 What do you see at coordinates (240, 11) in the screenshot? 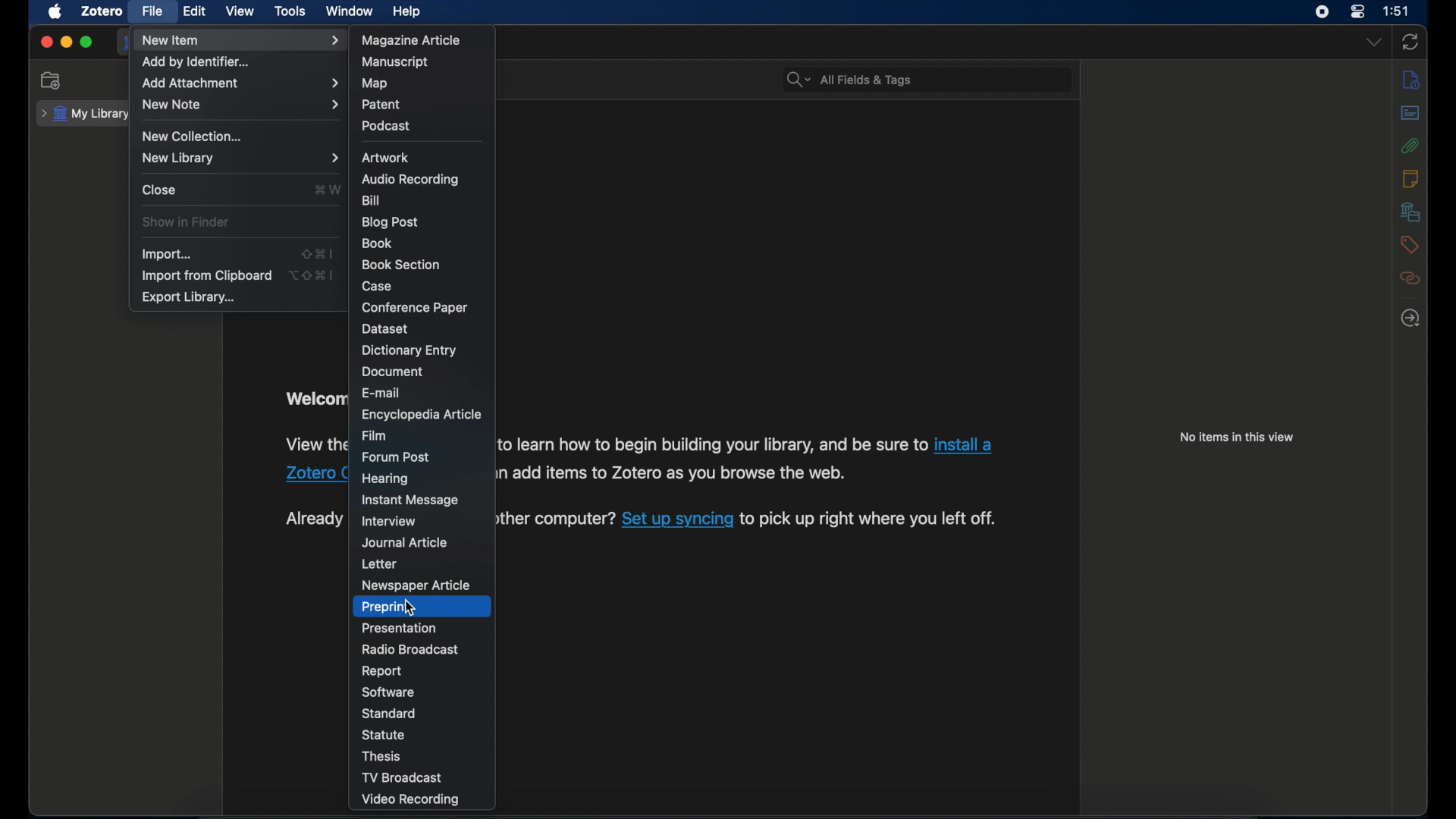
I see `view` at bounding box center [240, 11].